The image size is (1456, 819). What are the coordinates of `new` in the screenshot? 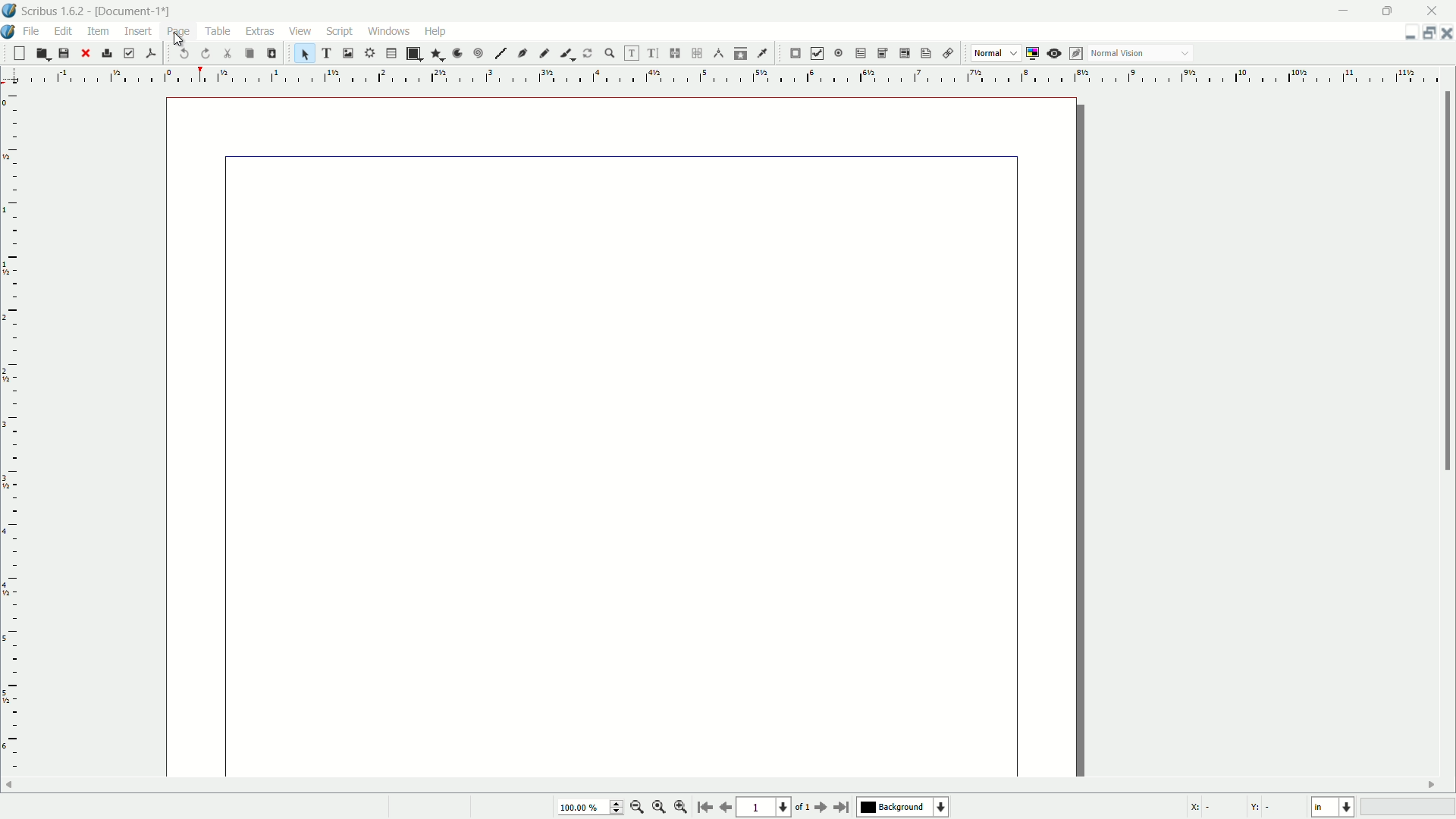 It's located at (17, 53).